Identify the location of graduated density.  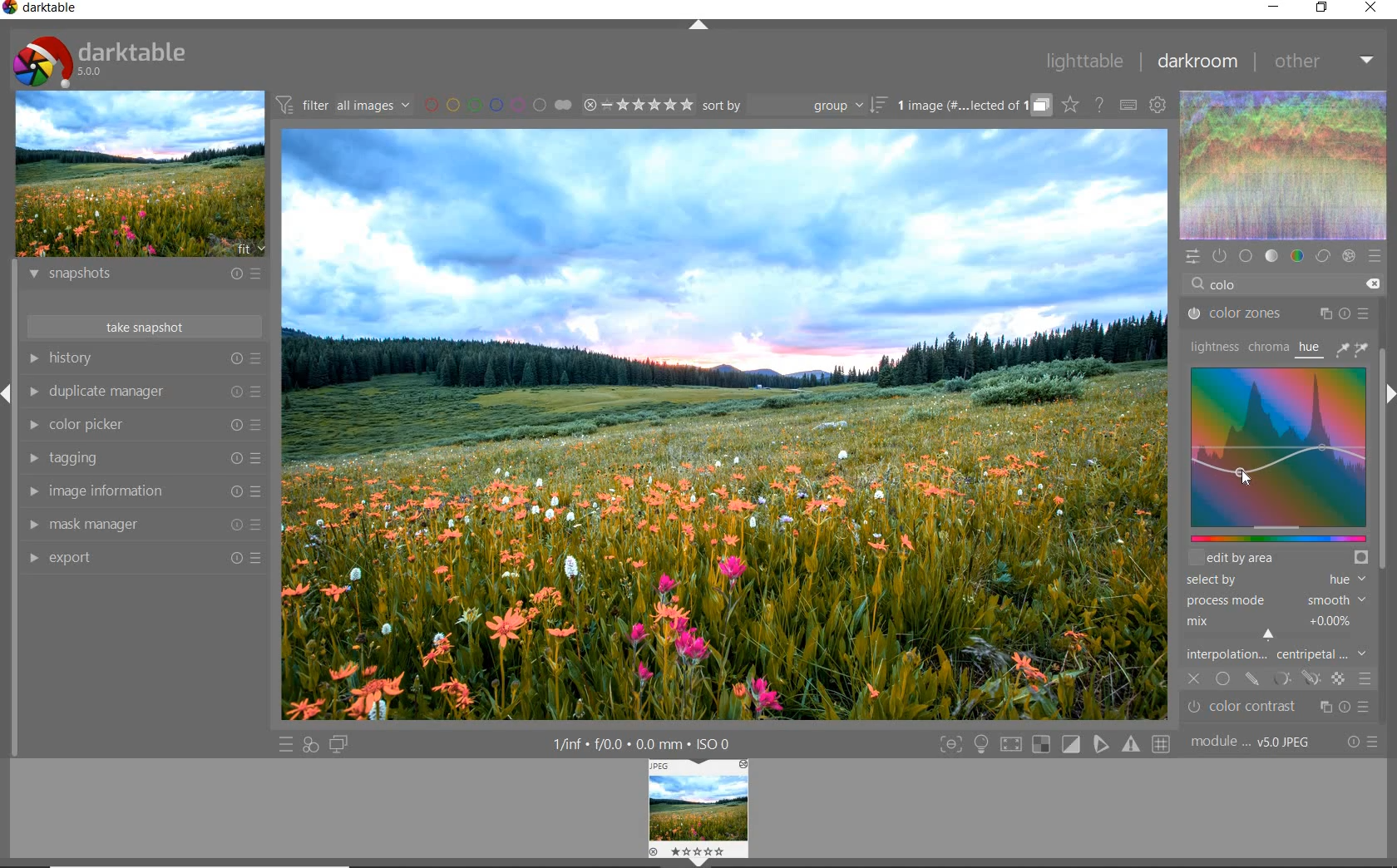
(1276, 708).